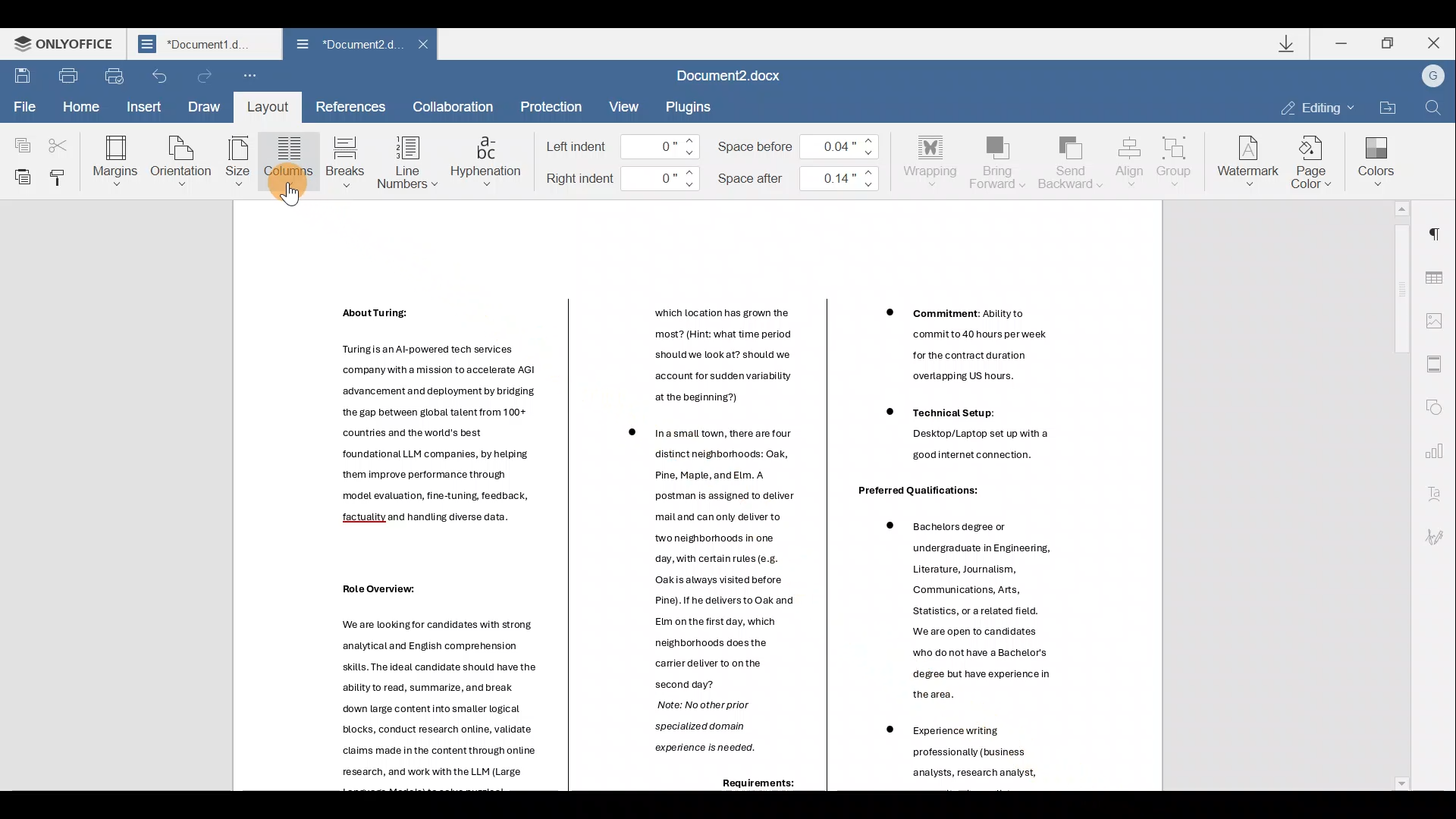 The height and width of the screenshot is (819, 1456). Describe the element at coordinates (20, 77) in the screenshot. I see `Save` at that location.